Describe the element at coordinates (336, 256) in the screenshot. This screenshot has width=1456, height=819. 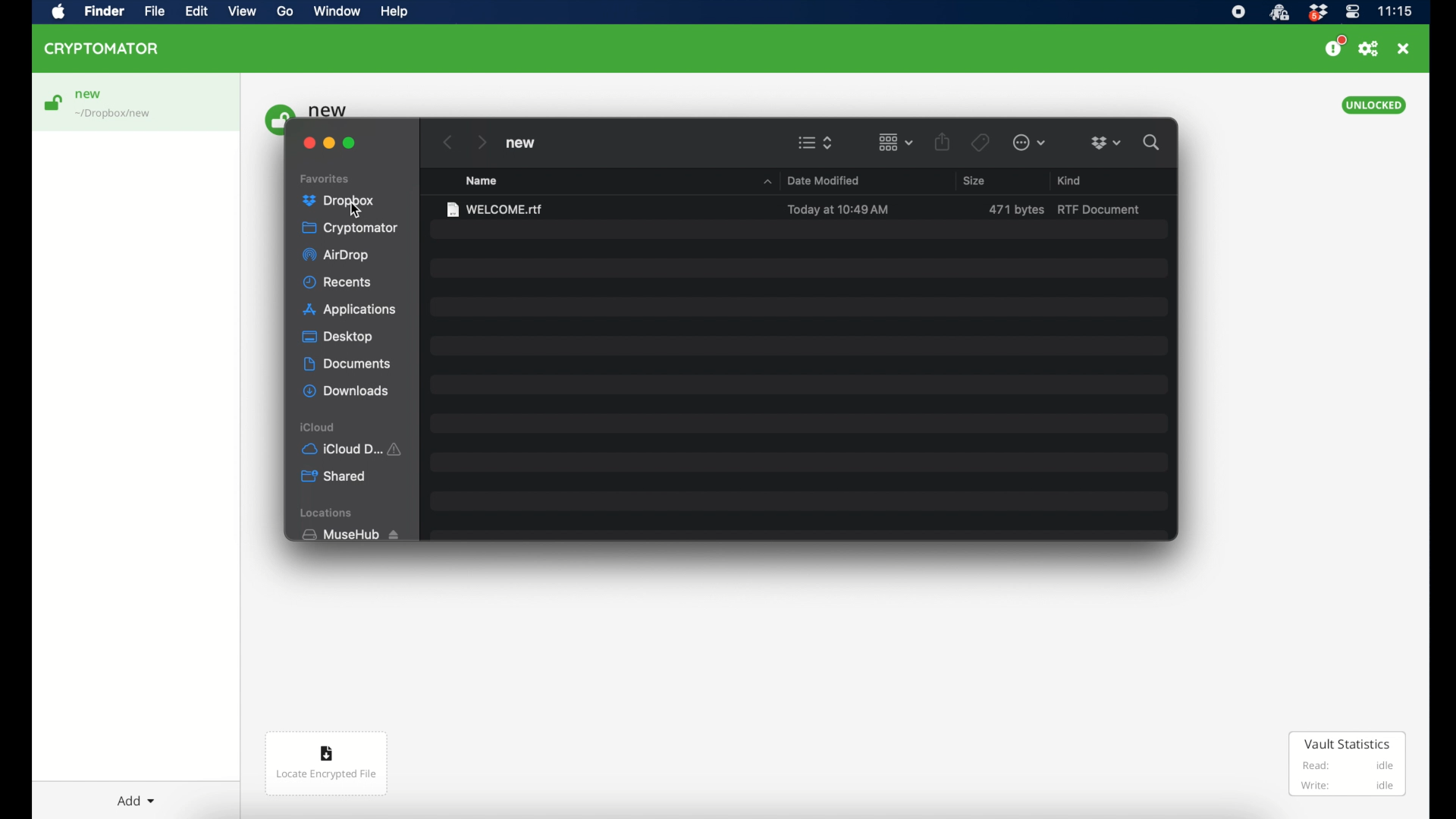
I see `airdrop` at that location.